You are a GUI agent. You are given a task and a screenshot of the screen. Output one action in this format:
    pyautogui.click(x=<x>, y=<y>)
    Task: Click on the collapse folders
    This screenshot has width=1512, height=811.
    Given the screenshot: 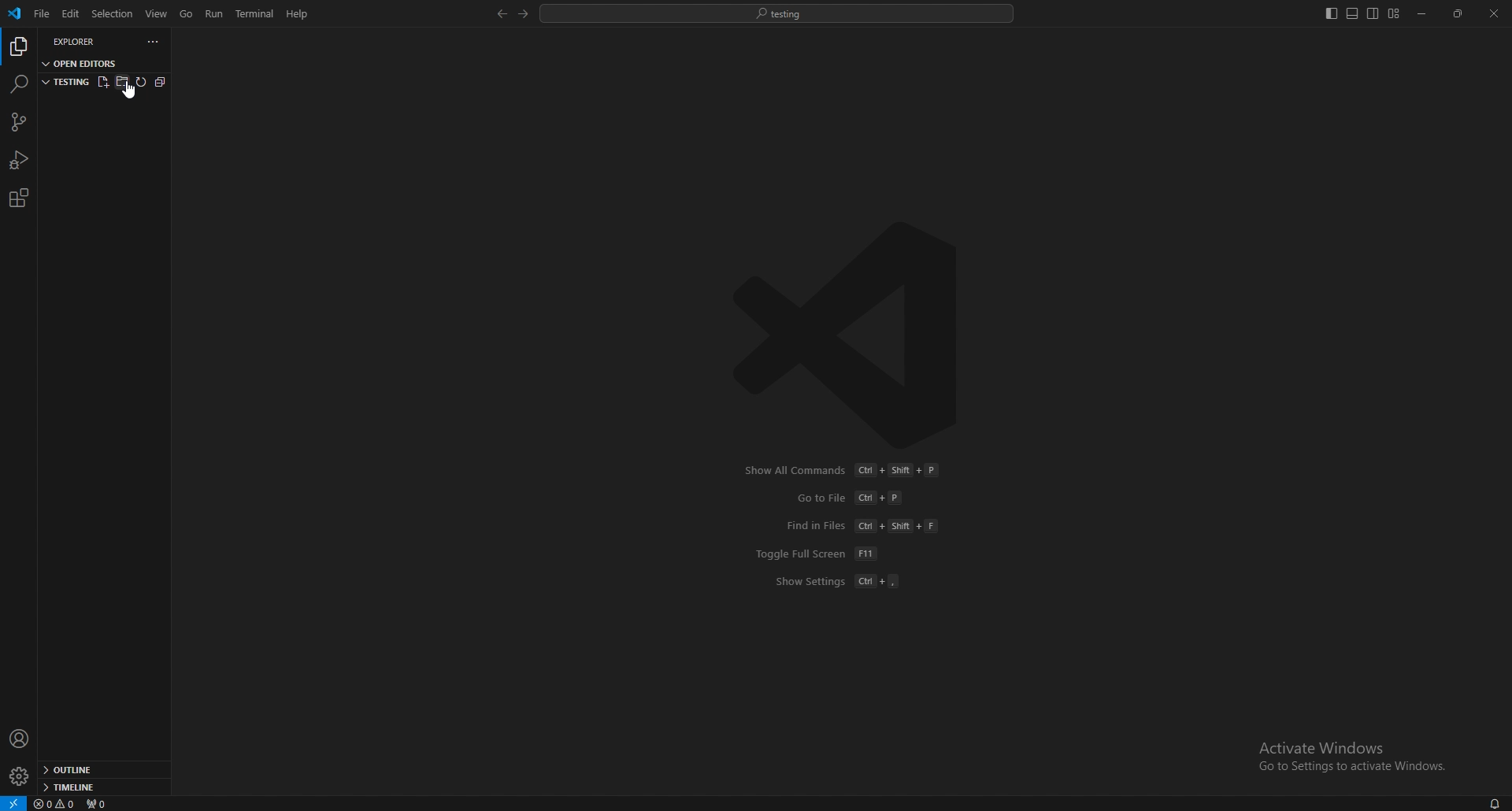 What is the action you would take?
    pyautogui.click(x=159, y=83)
    